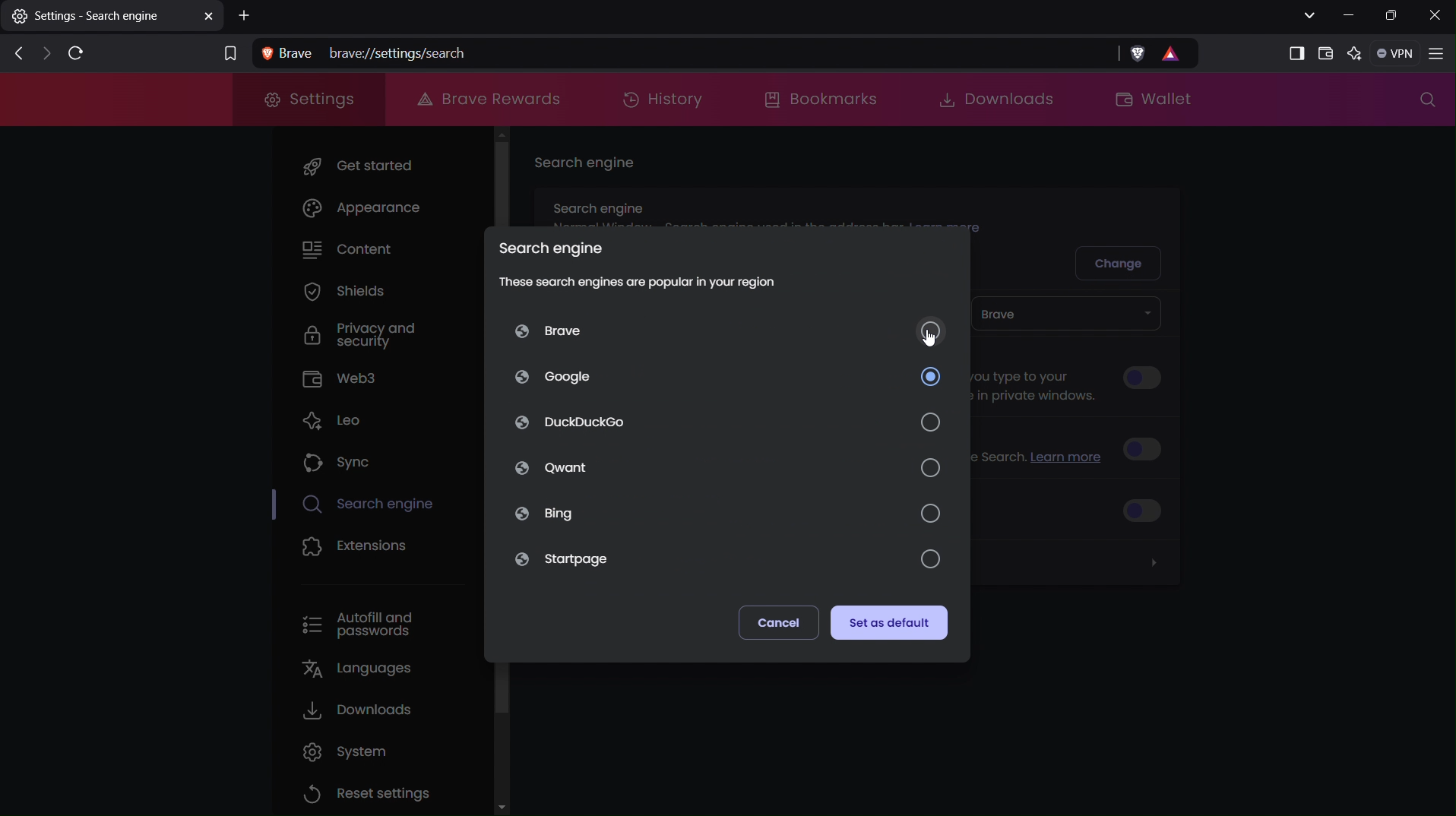 The height and width of the screenshot is (816, 1456). What do you see at coordinates (726, 561) in the screenshot?
I see `Startpage` at bounding box center [726, 561].